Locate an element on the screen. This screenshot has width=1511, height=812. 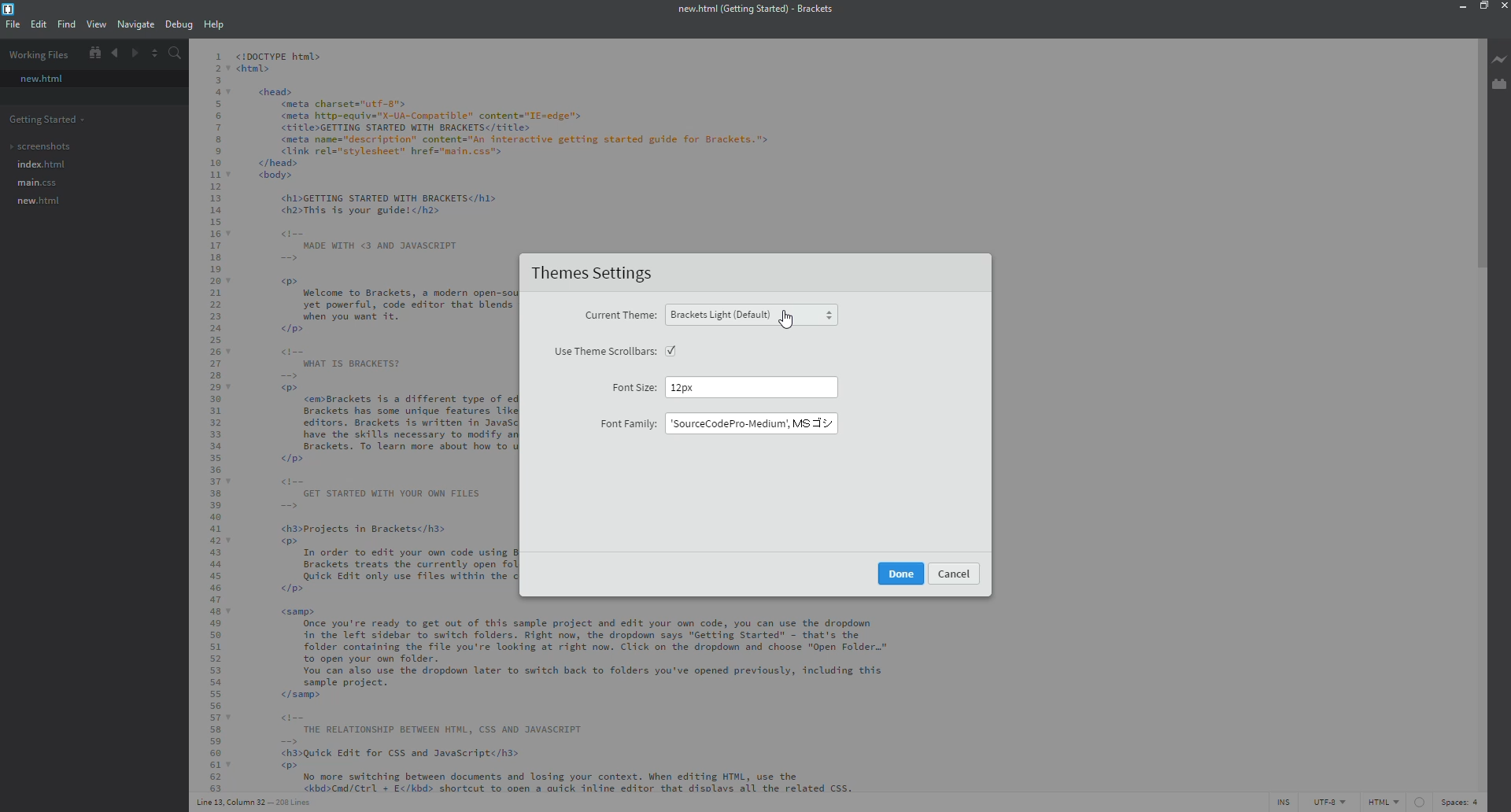
themes is located at coordinates (597, 275).